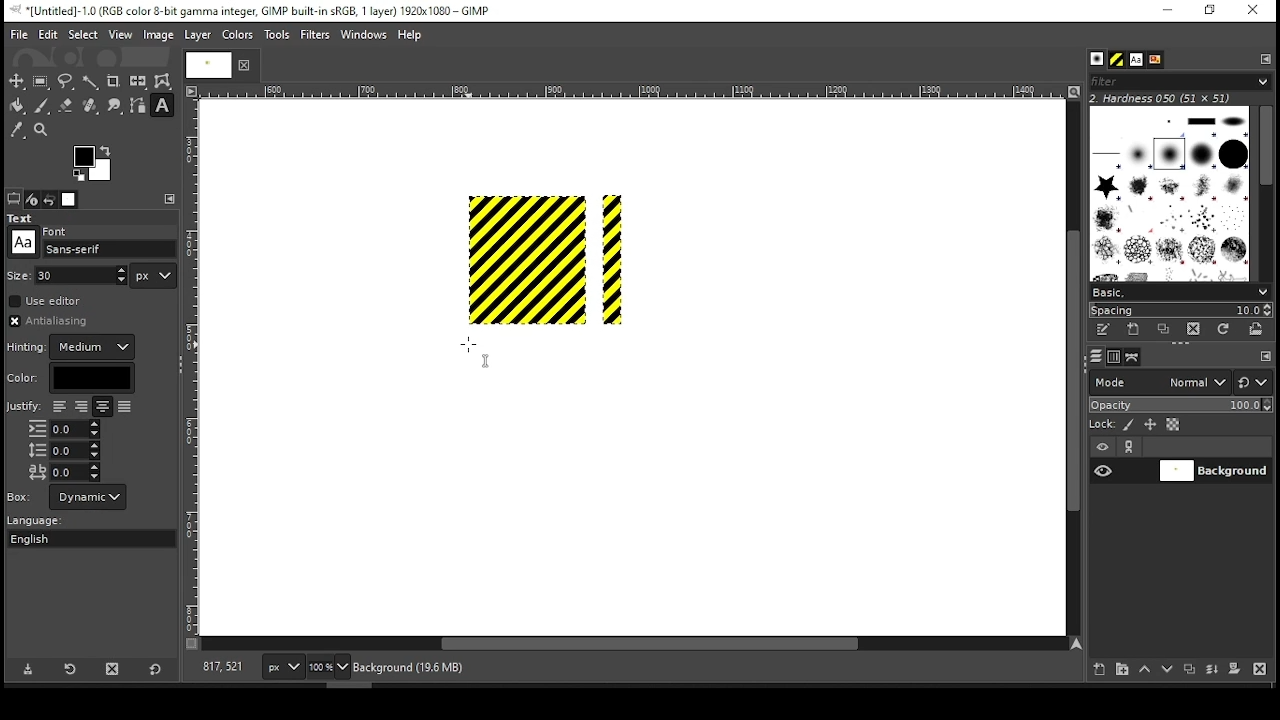 Image resolution: width=1280 pixels, height=720 pixels. I want to click on , so click(629, 92).